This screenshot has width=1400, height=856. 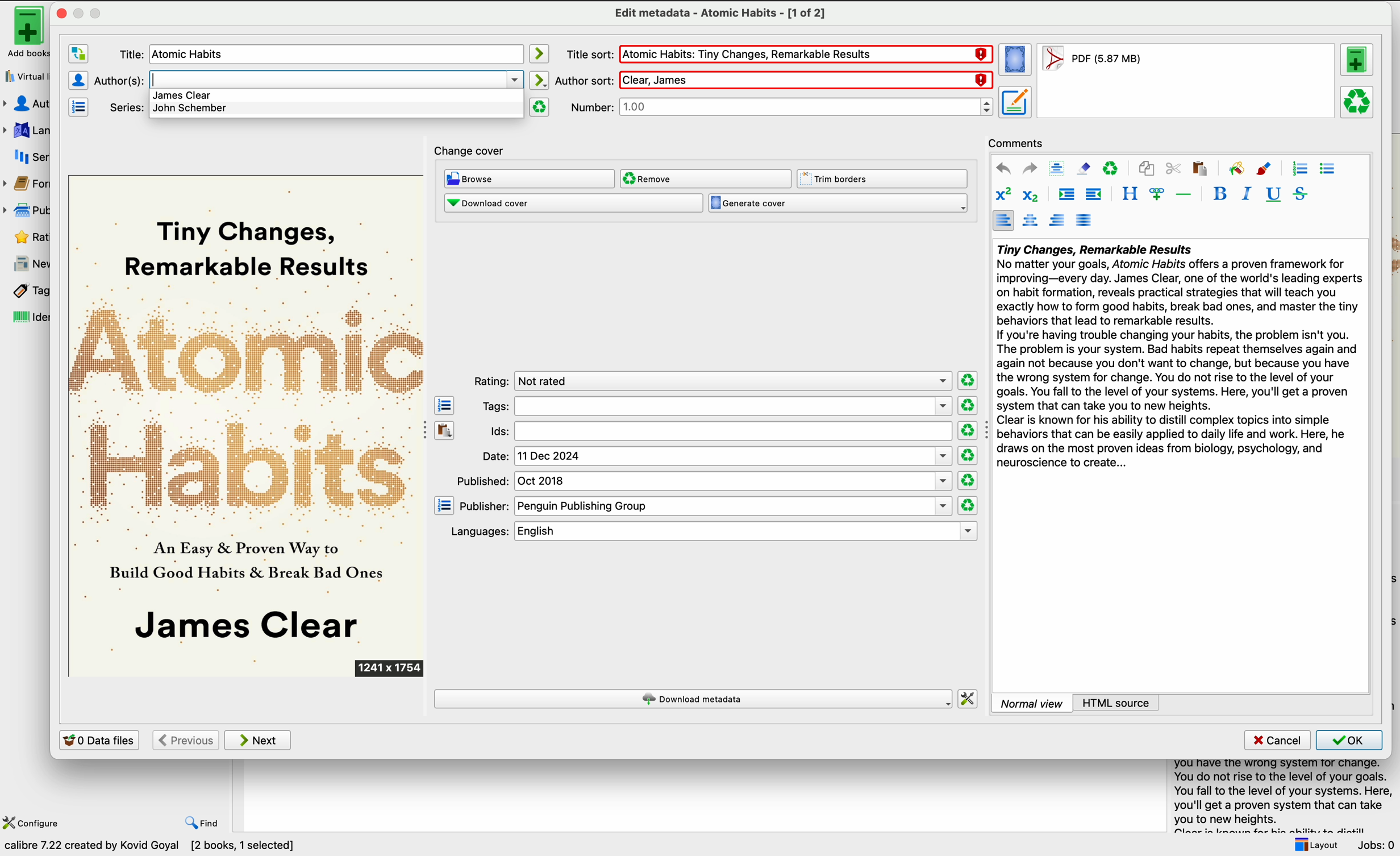 I want to click on next button, so click(x=259, y=741).